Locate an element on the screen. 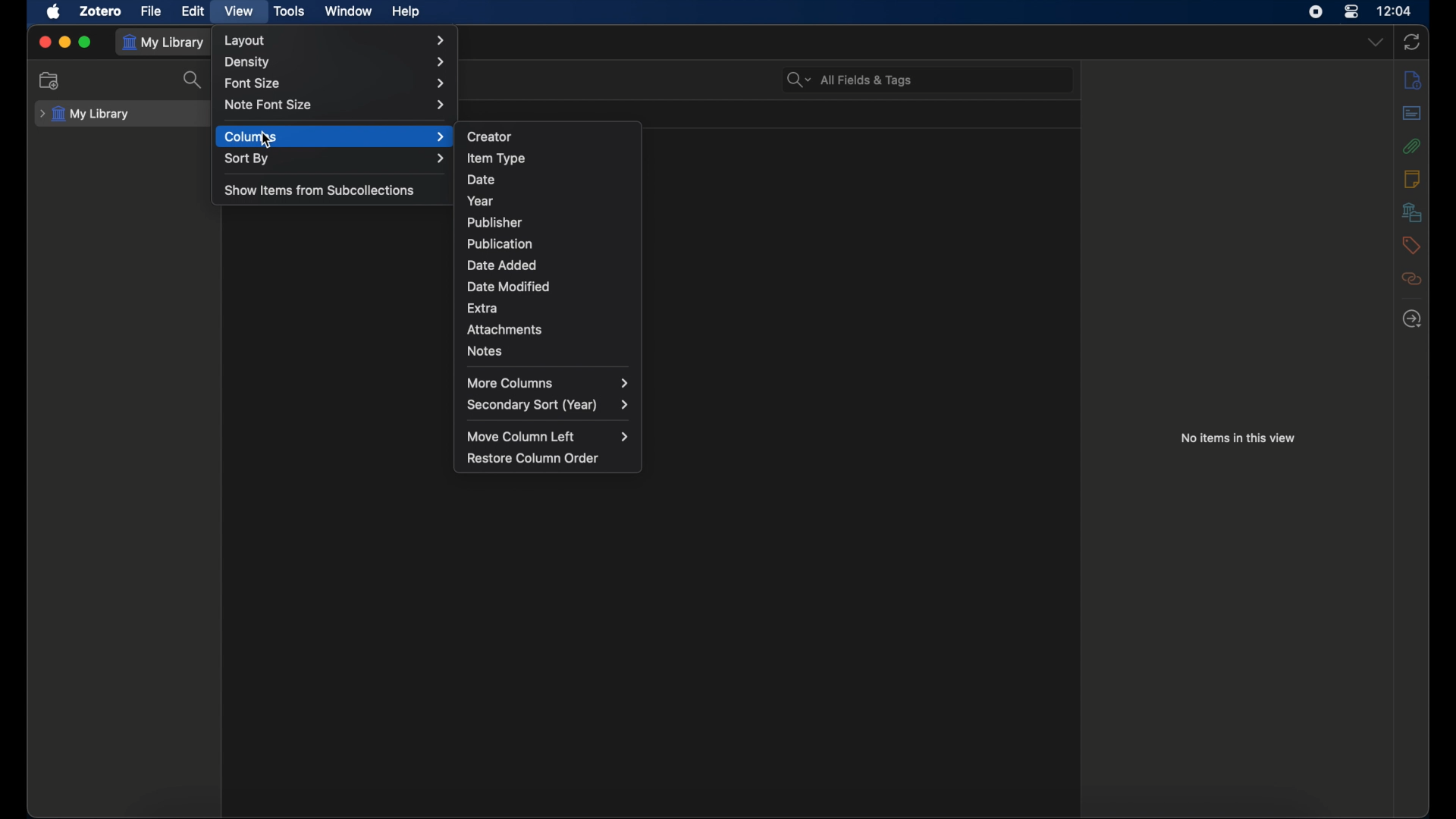 The height and width of the screenshot is (819, 1456). new collection is located at coordinates (50, 80).